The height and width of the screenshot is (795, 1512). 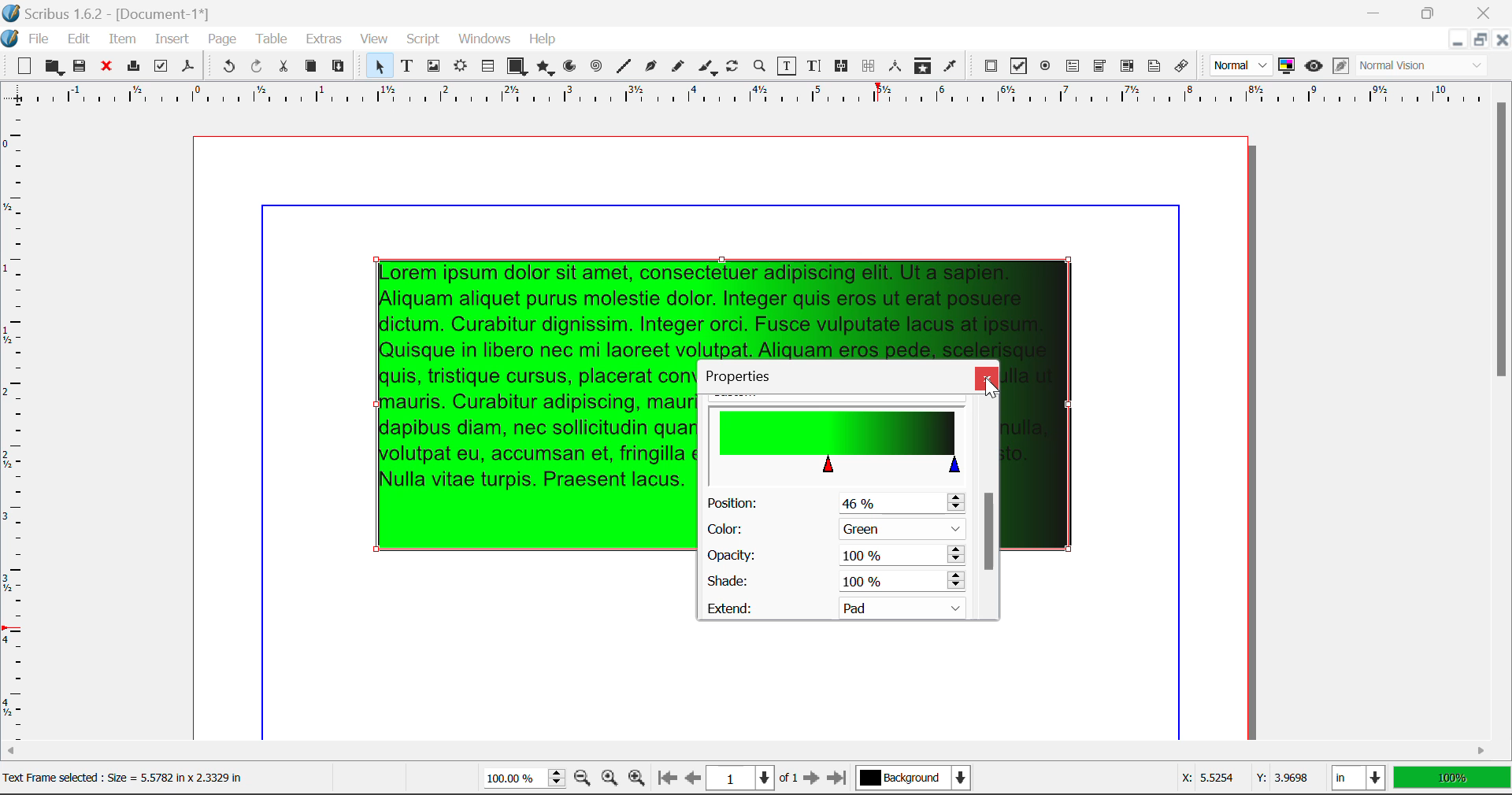 I want to click on Edit, so click(x=79, y=39).